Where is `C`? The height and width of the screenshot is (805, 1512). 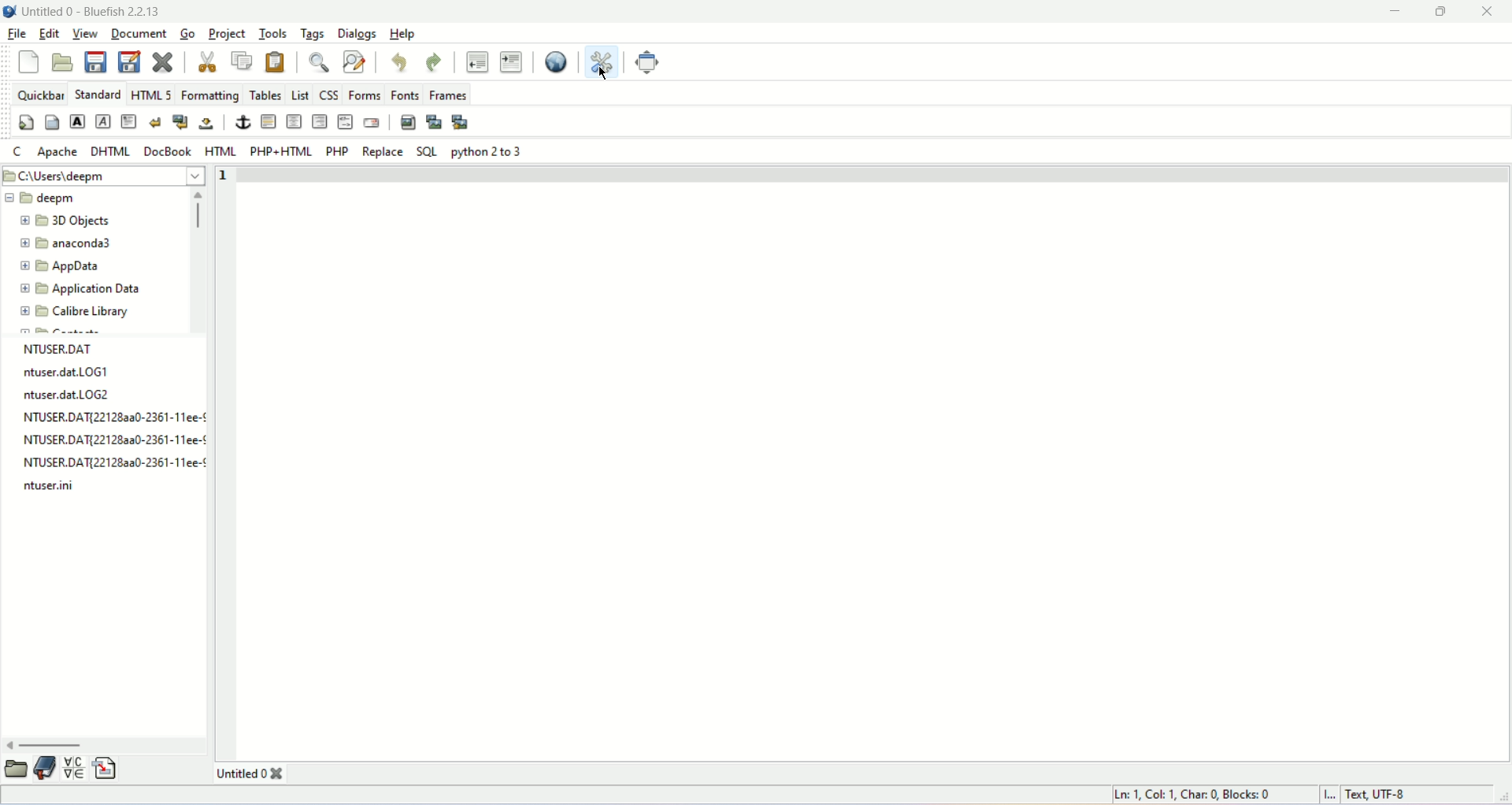 C is located at coordinates (16, 151).